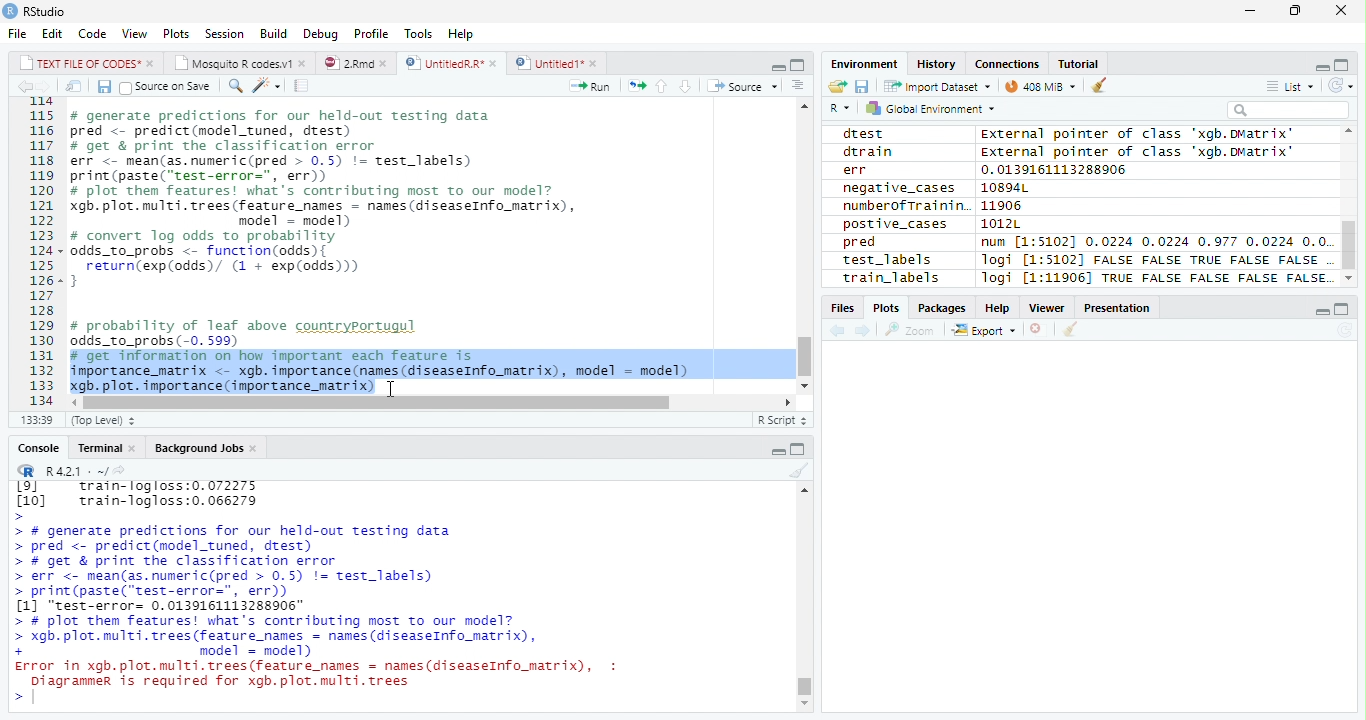 Image resolution: width=1366 pixels, height=720 pixels. I want to click on Import dataset, so click(936, 85).